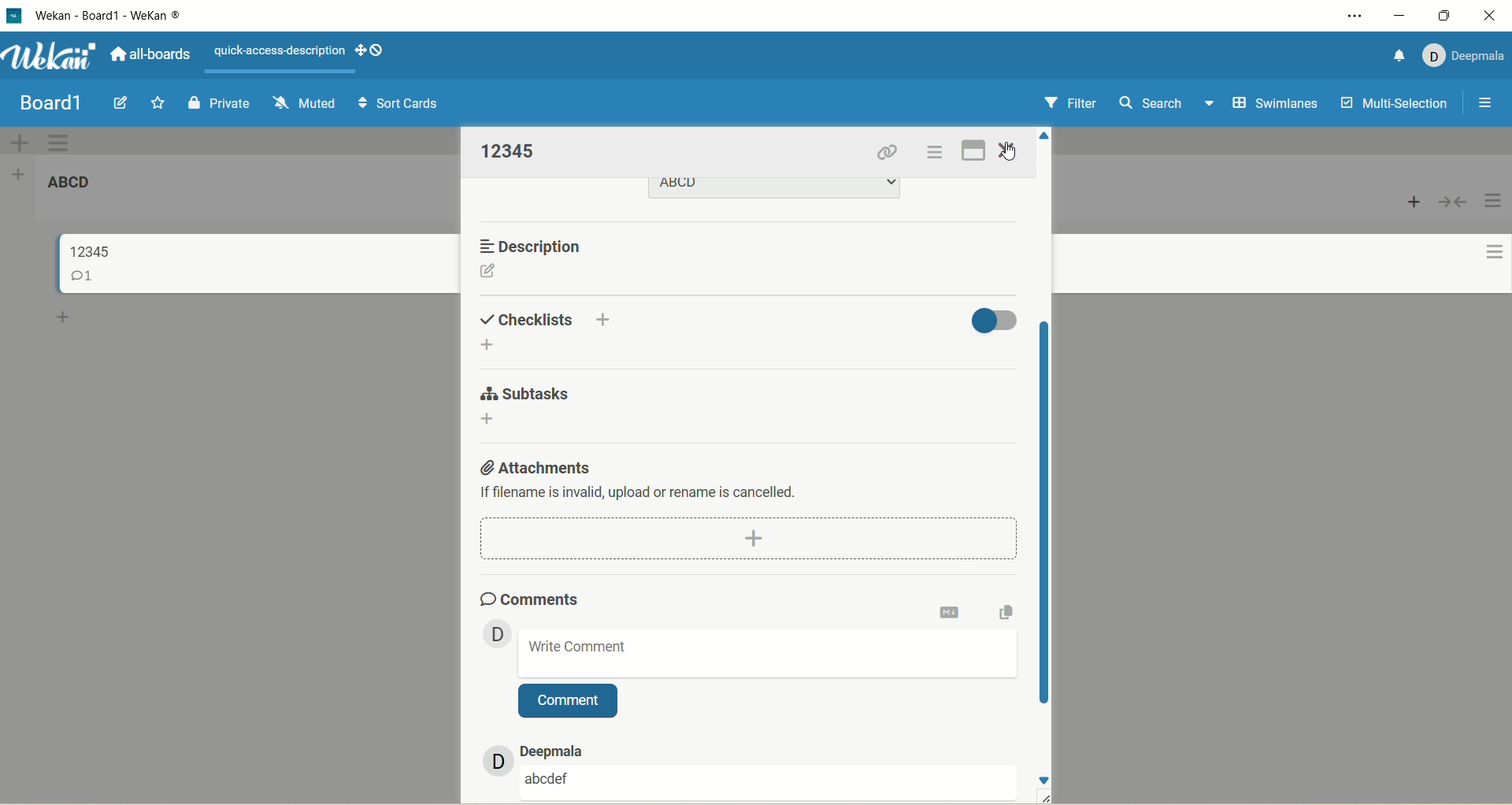 This screenshot has height=805, width=1512. I want to click on attachments, so click(533, 465).